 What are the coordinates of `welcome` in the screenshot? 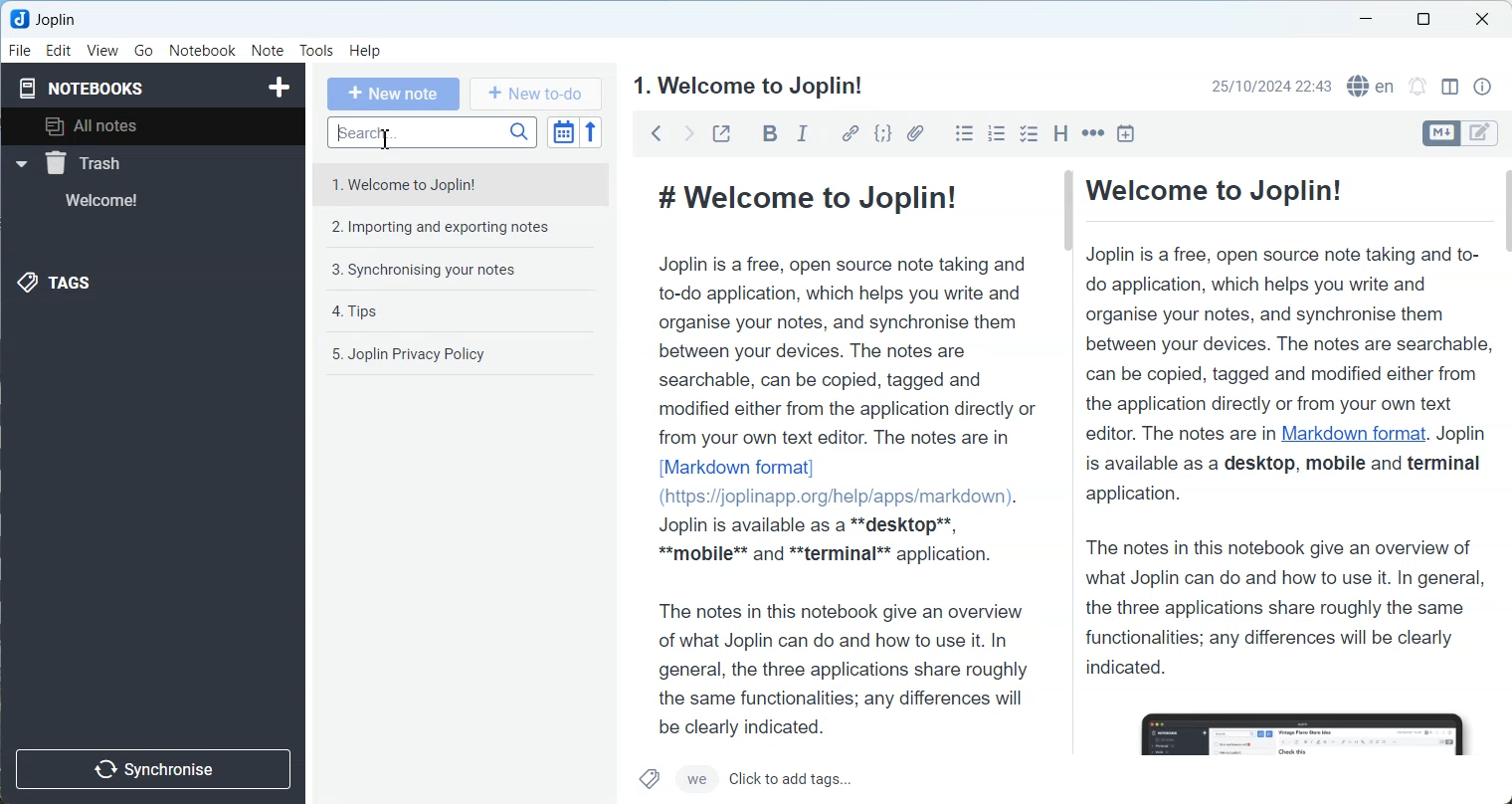 It's located at (127, 201).